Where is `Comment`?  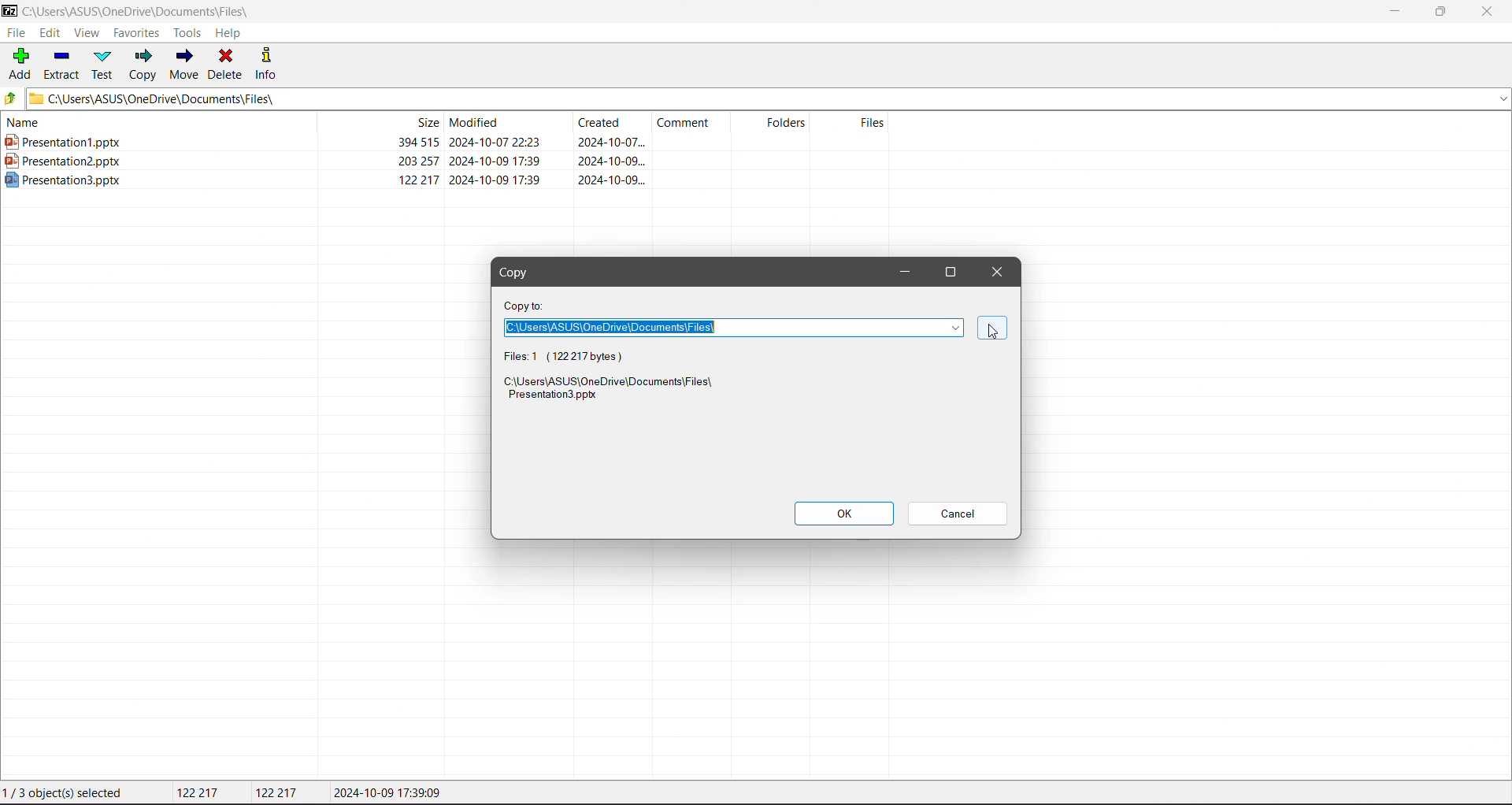 Comment is located at coordinates (695, 122).